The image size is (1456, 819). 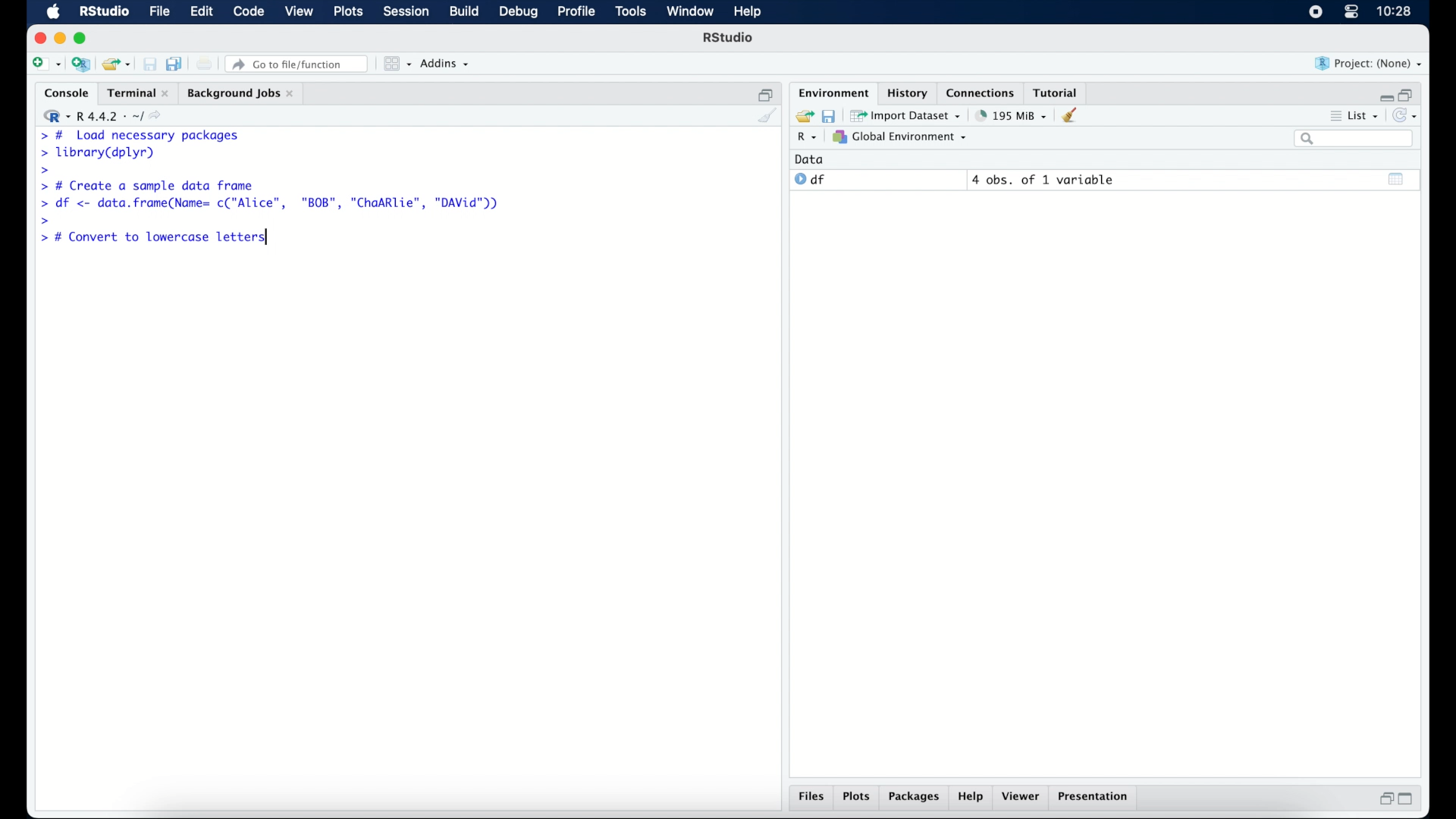 I want to click on files, so click(x=811, y=799).